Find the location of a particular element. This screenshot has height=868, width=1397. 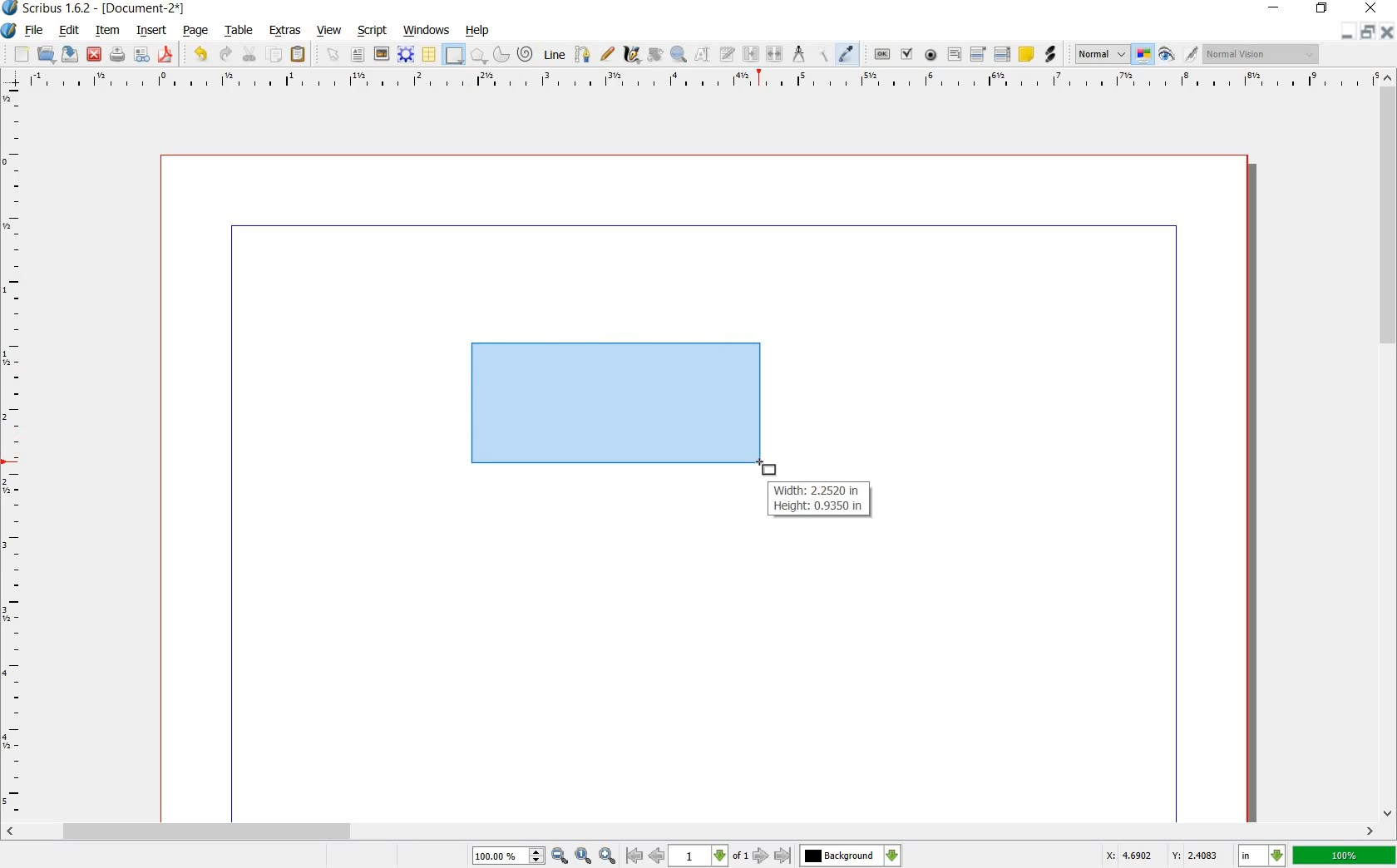

WINDOWS is located at coordinates (427, 31).